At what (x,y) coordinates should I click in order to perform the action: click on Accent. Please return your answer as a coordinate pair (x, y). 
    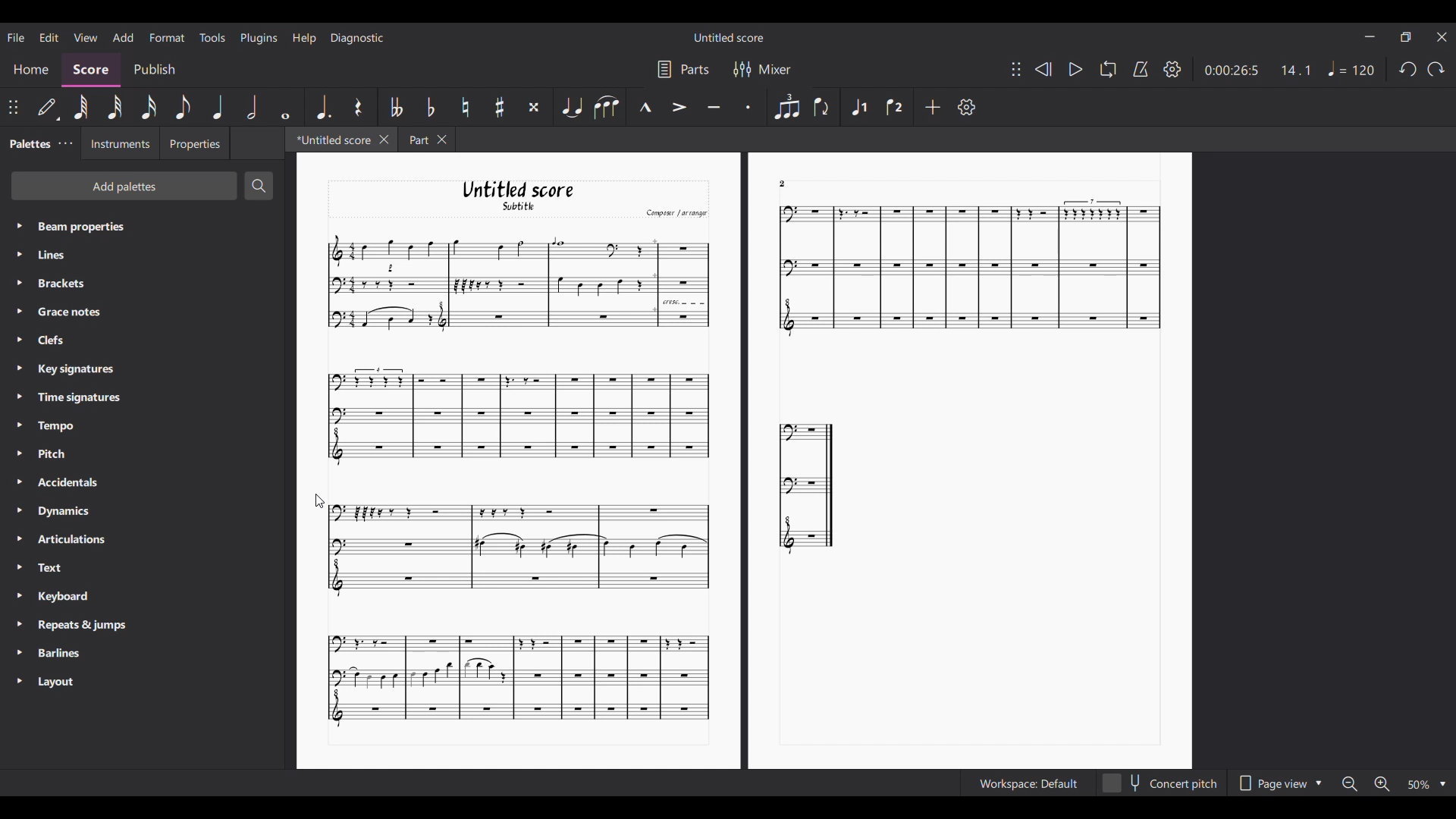
    Looking at the image, I should click on (679, 107).